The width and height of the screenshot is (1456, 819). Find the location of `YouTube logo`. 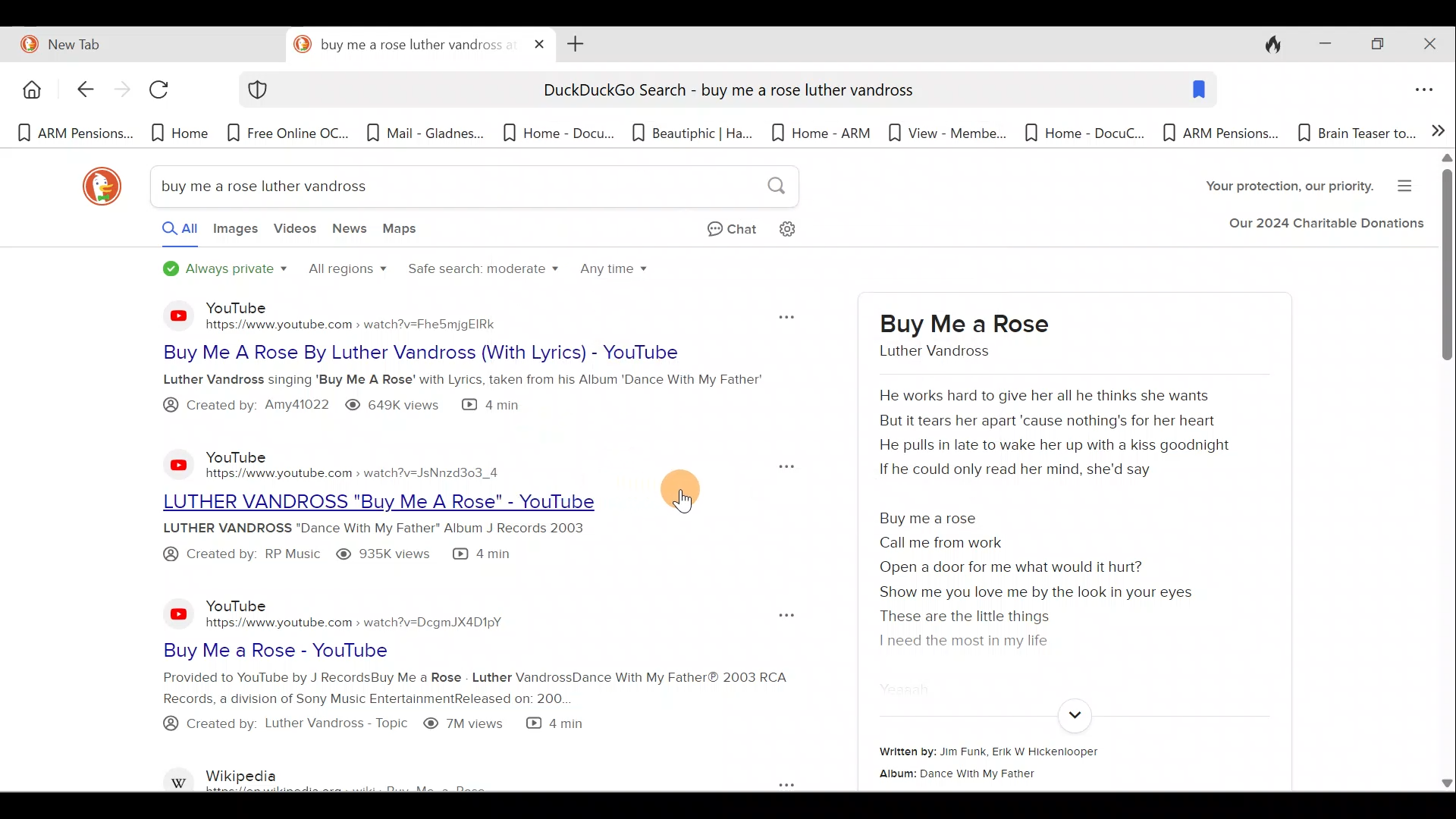

YouTube logo is located at coordinates (179, 613).